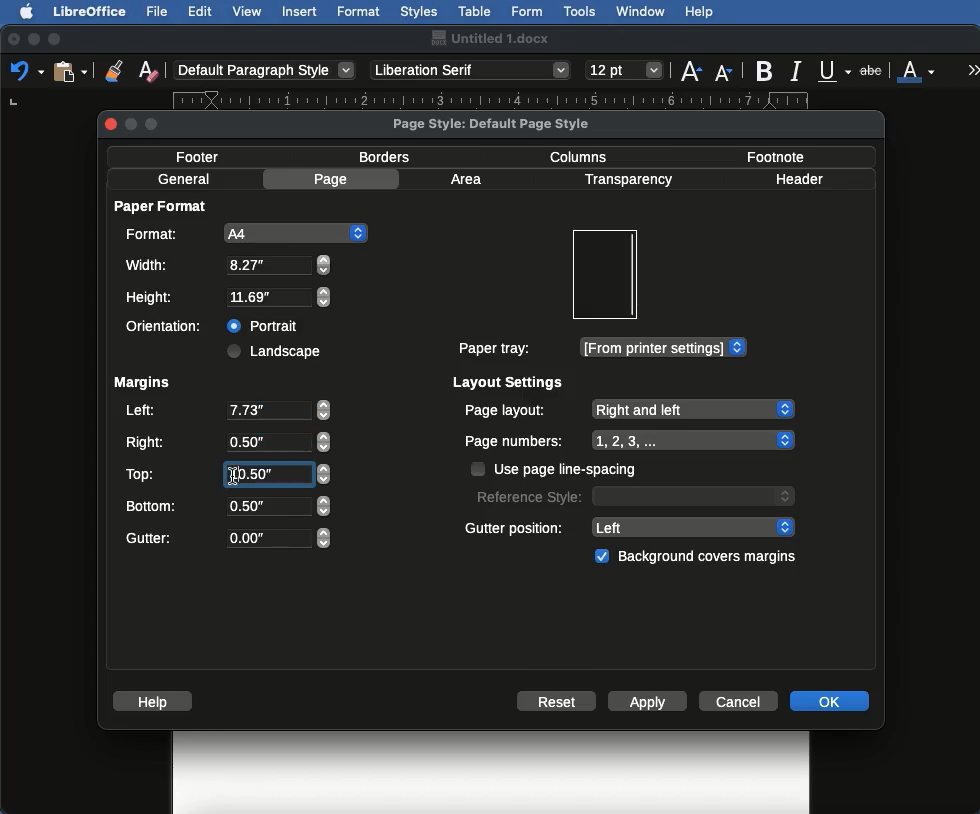 The image size is (980, 814). Describe the element at coordinates (631, 526) in the screenshot. I see `Gutter position` at that location.